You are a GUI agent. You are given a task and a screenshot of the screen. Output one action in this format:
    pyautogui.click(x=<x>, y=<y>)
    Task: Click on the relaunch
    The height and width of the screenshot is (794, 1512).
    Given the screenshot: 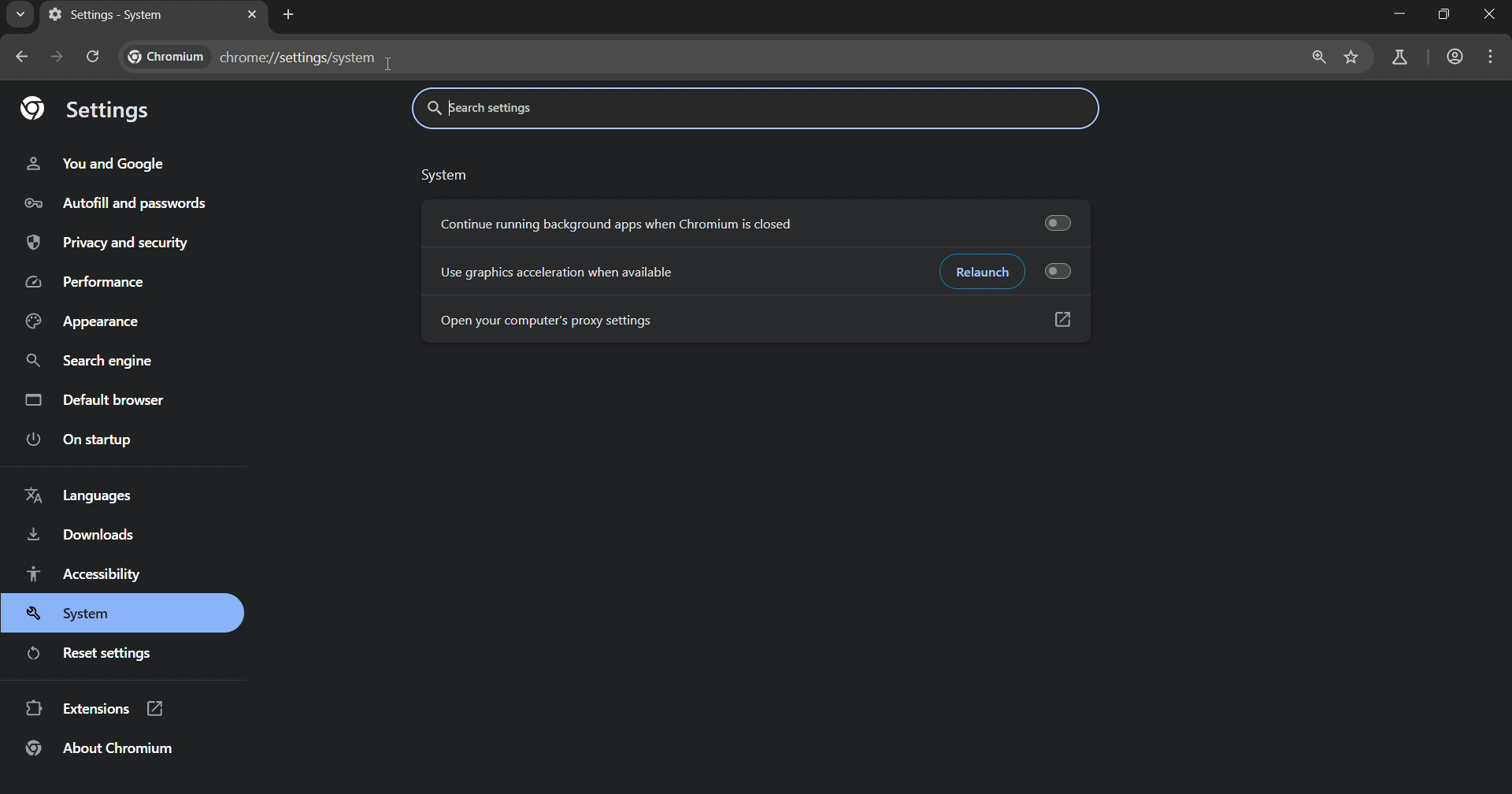 What is the action you would take?
    pyautogui.click(x=982, y=270)
    